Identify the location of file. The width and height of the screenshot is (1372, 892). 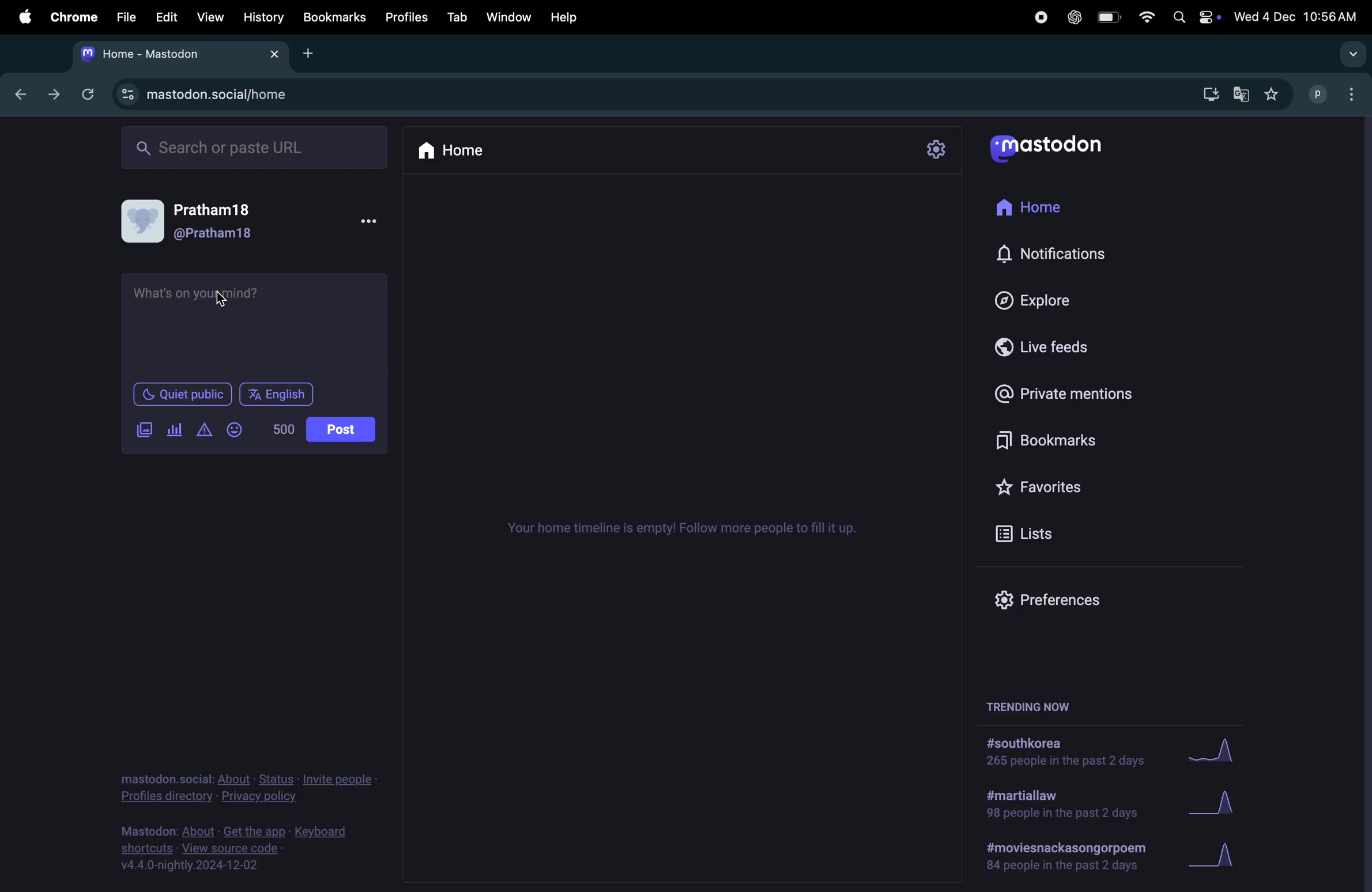
(124, 17).